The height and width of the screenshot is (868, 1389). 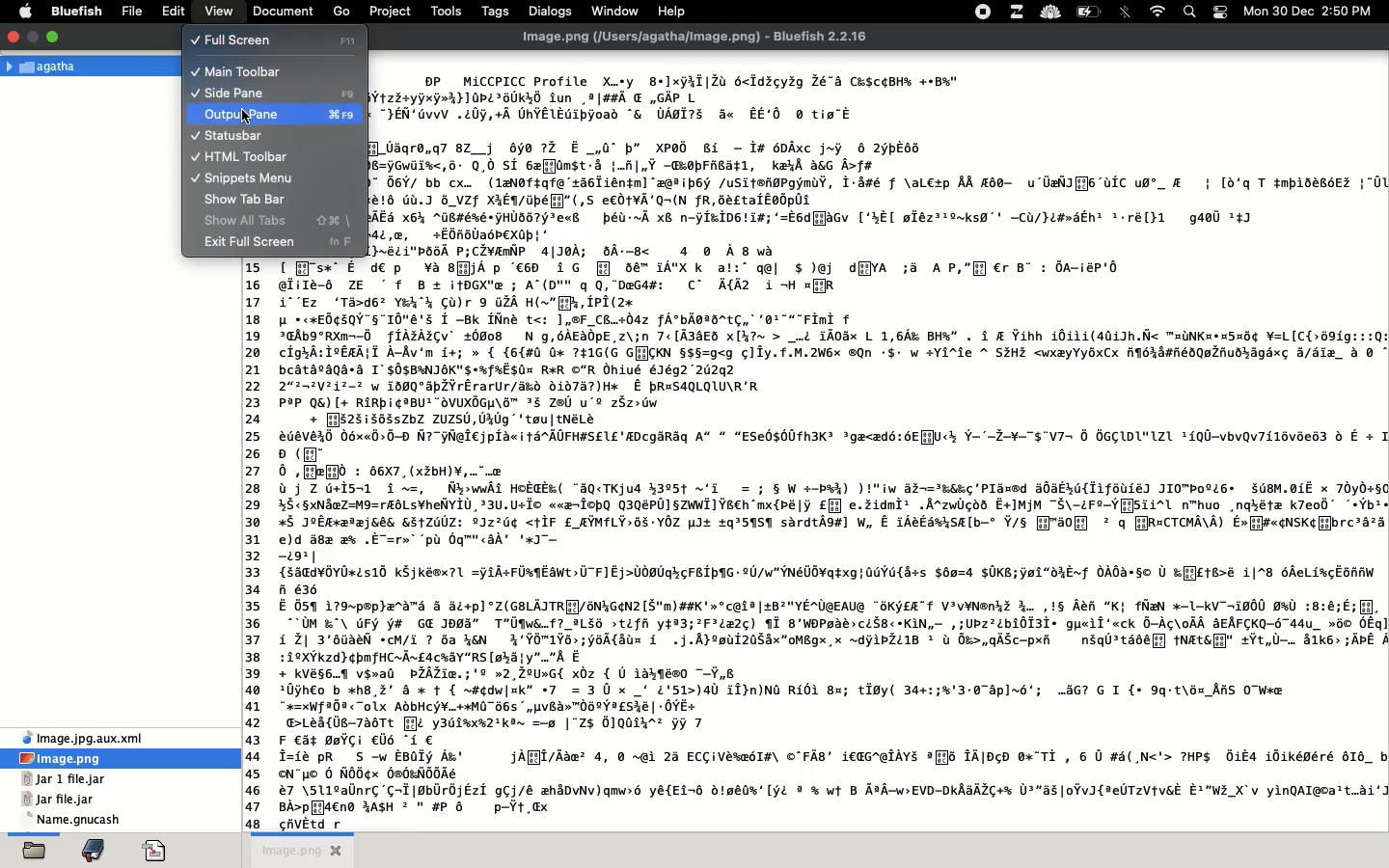 What do you see at coordinates (337, 852) in the screenshot?
I see `close` at bounding box center [337, 852].